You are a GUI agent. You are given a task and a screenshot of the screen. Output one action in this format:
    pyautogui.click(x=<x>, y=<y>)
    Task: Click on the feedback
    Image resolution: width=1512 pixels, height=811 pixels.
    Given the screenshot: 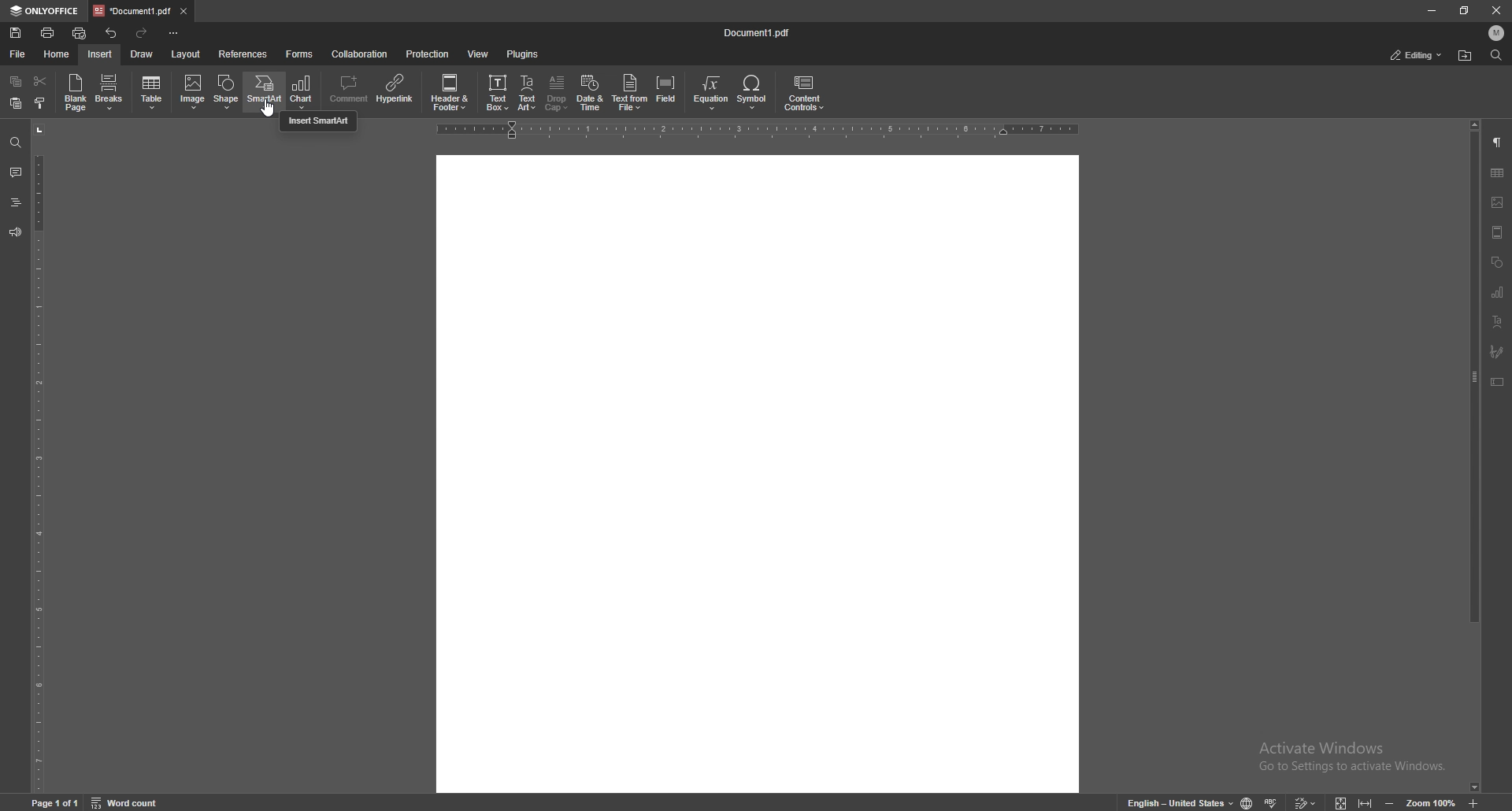 What is the action you would take?
    pyautogui.click(x=15, y=233)
    